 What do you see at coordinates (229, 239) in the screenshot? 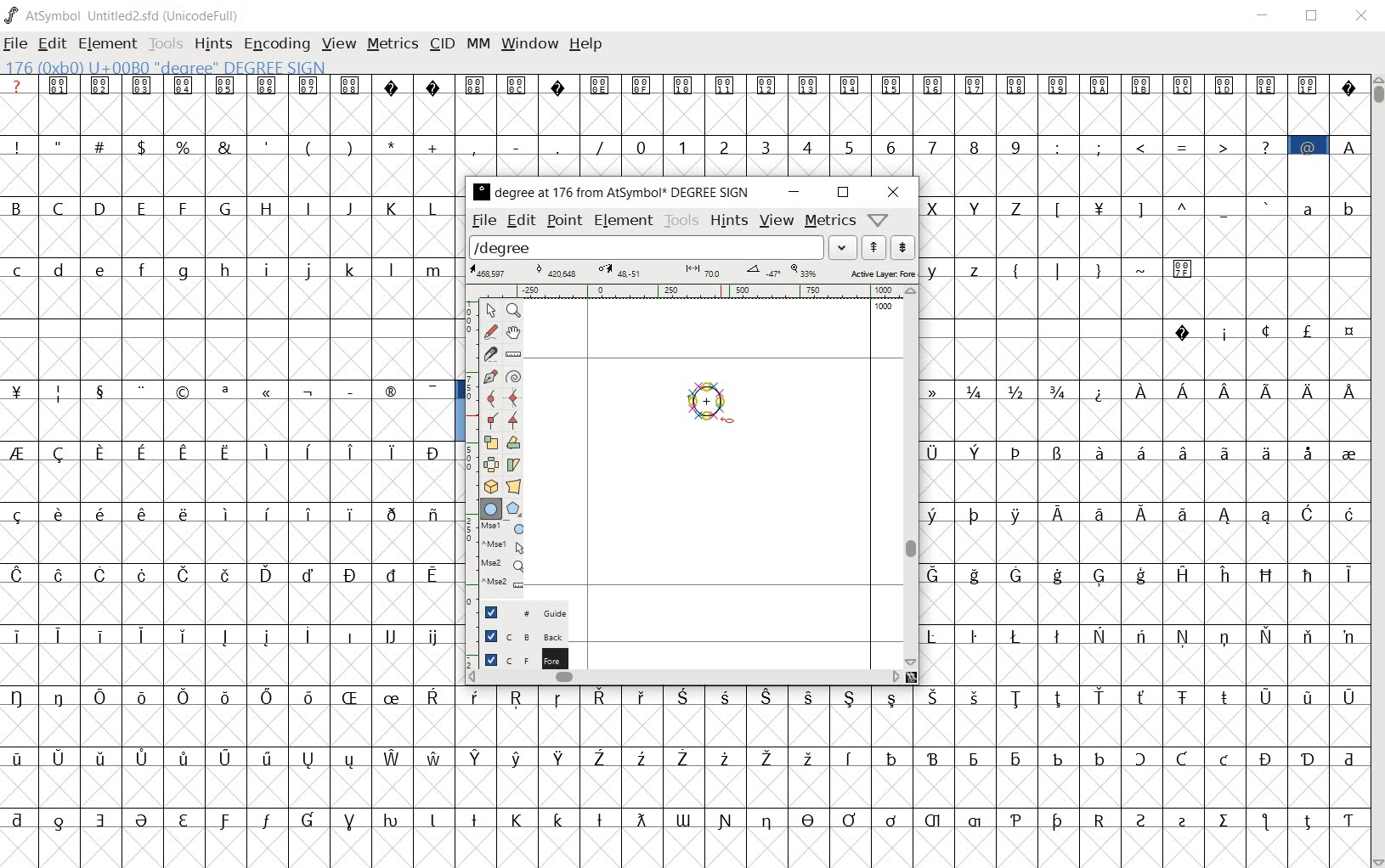
I see `empty glyph slots` at bounding box center [229, 239].